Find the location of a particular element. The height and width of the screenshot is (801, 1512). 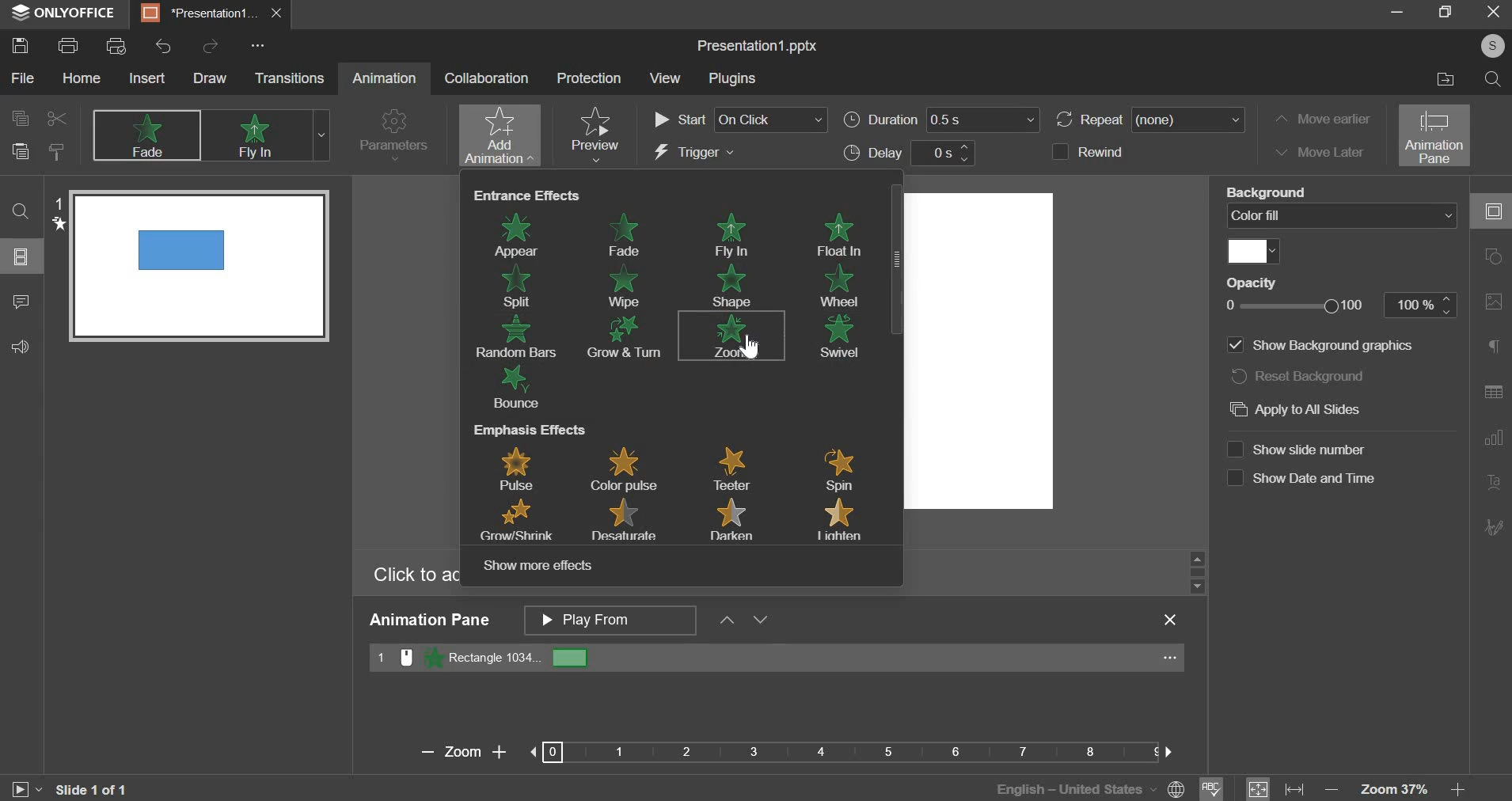

preview is located at coordinates (596, 129).